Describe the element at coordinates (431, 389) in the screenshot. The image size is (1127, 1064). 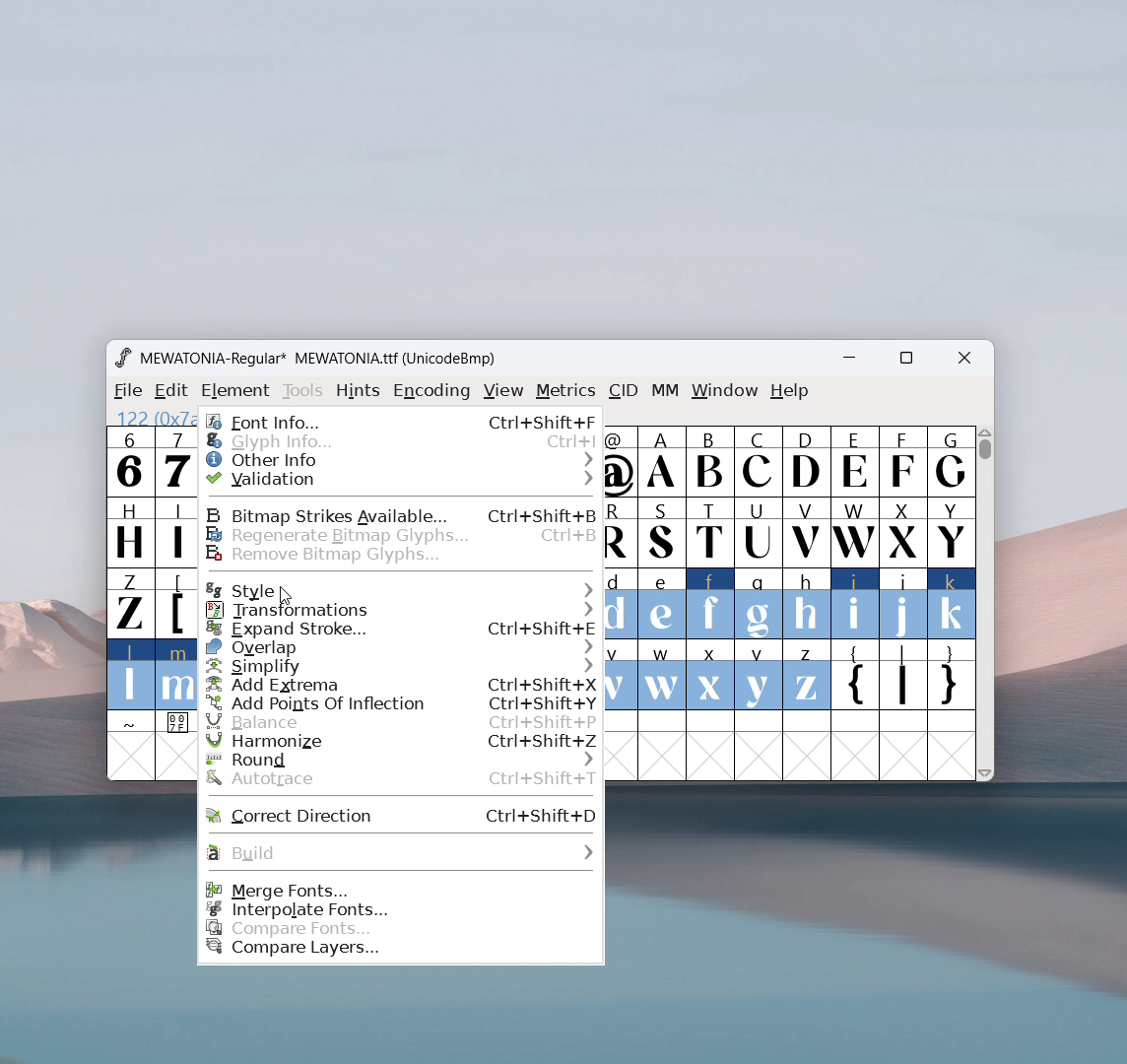
I see `encoding` at that location.